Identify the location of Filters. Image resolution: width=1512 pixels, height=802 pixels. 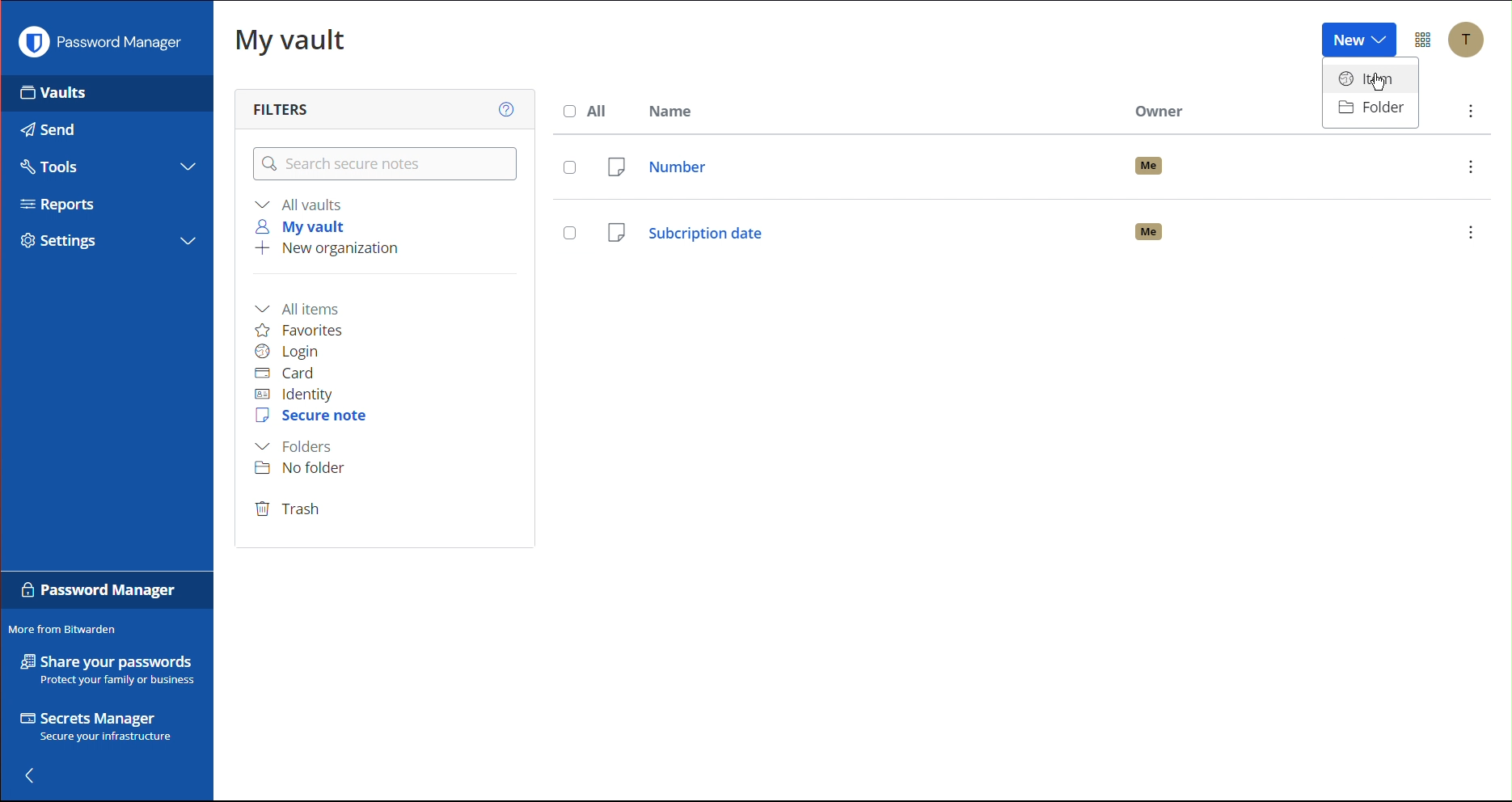
(278, 108).